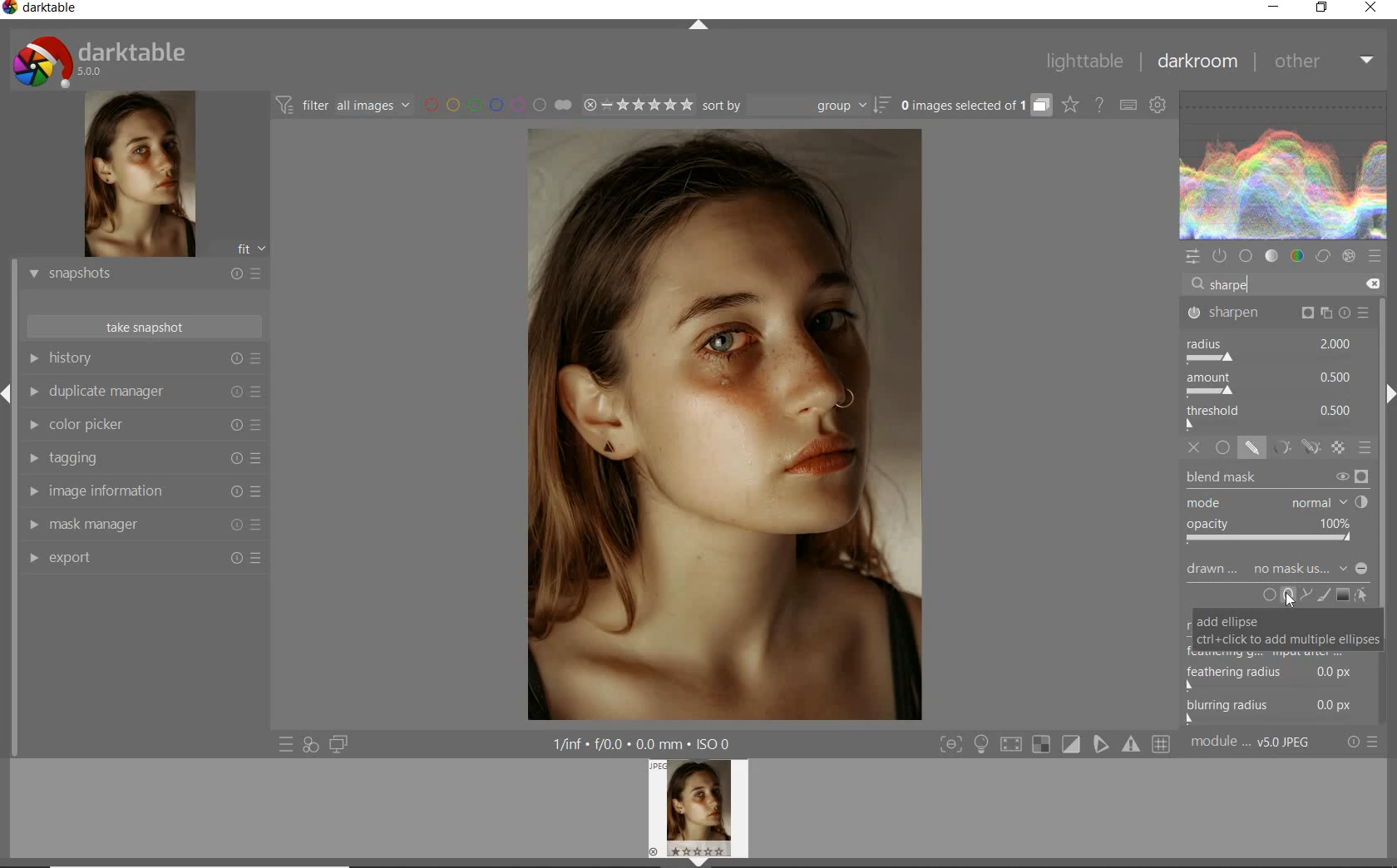 This screenshot has height=868, width=1397. Describe the element at coordinates (1322, 7) in the screenshot. I see `restore` at that location.